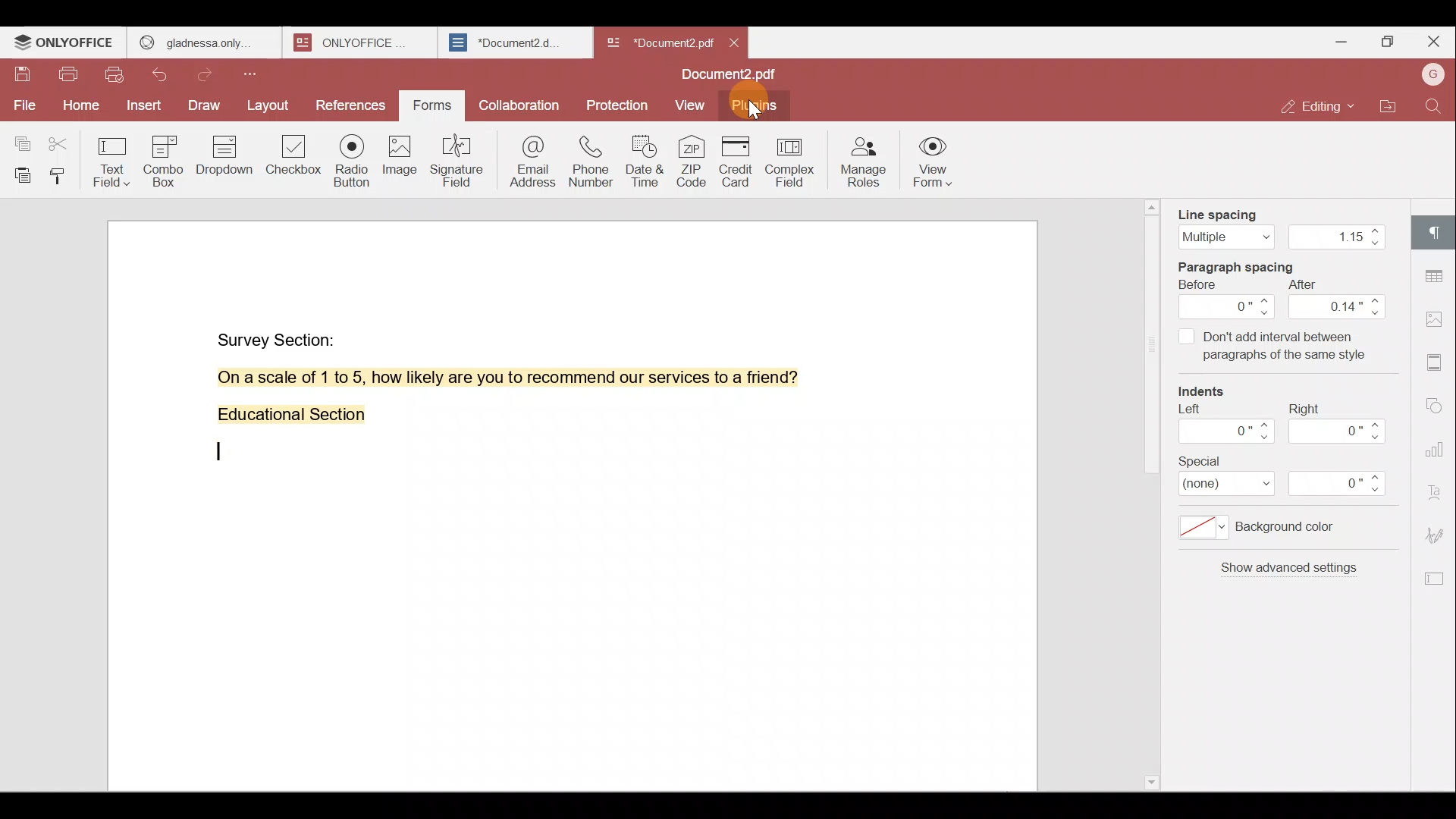 The height and width of the screenshot is (819, 1456). Describe the element at coordinates (279, 337) in the screenshot. I see `Survey Section:` at that location.